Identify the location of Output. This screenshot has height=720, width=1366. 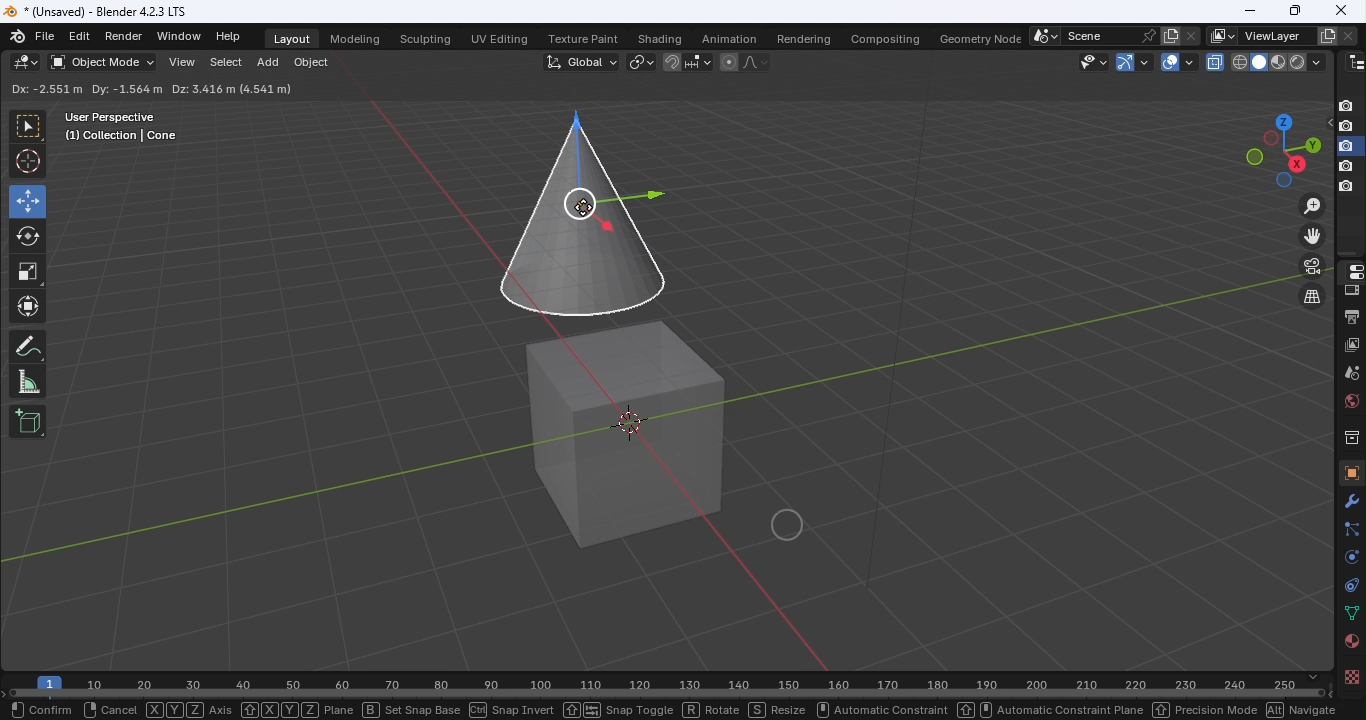
(1349, 315).